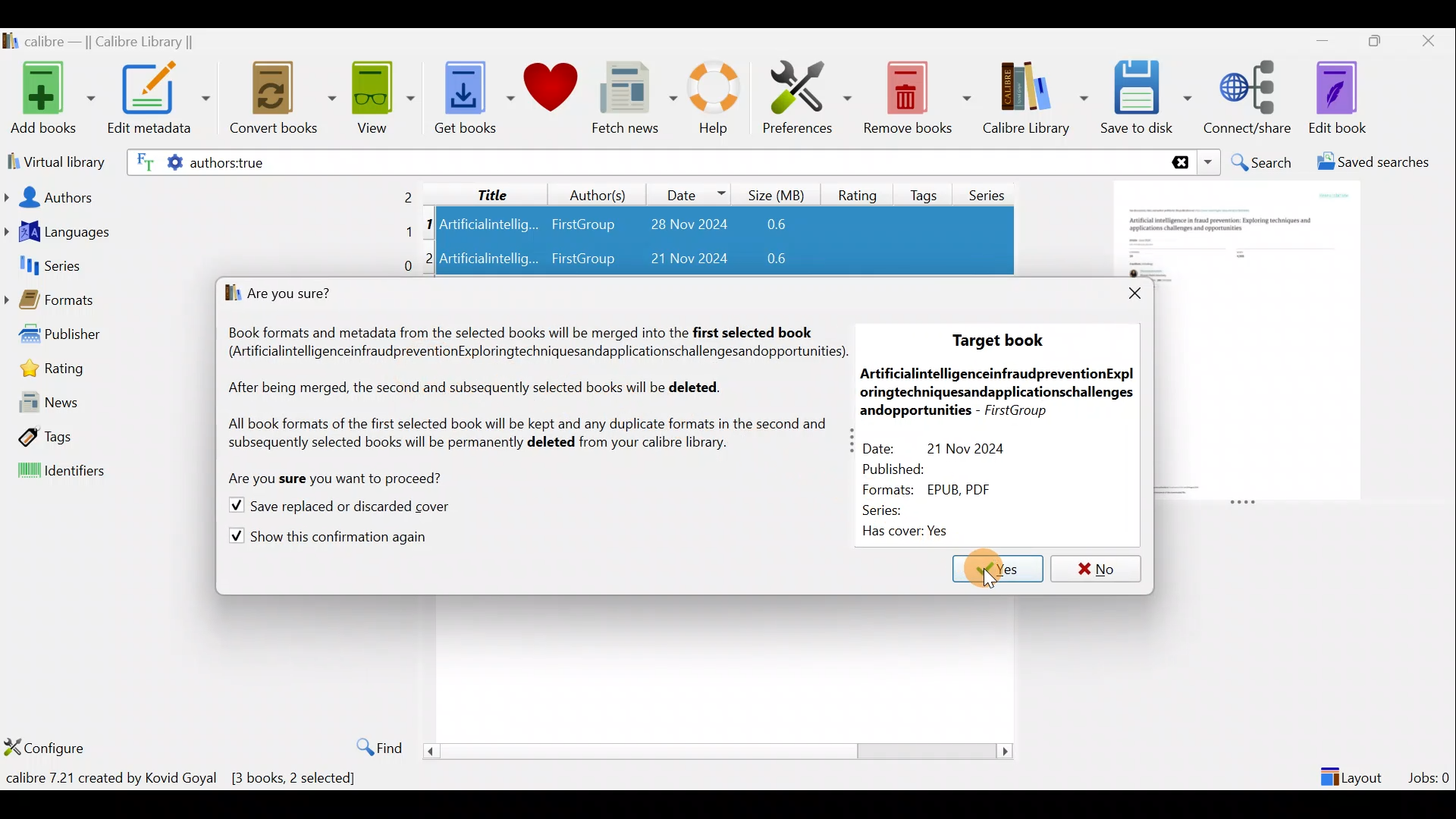 The height and width of the screenshot is (819, 1456). Describe the element at coordinates (338, 507) in the screenshot. I see `Save replaced or discarded cover` at that location.